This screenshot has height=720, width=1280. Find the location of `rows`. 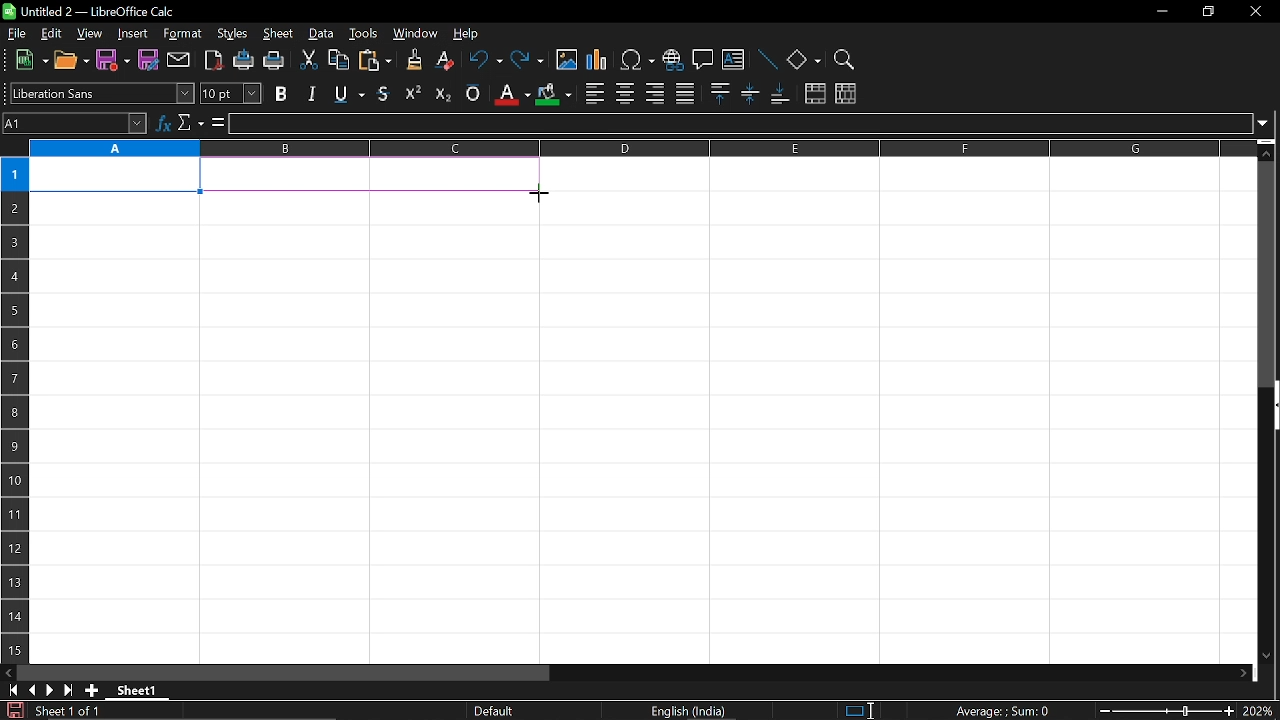

rows is located at coordinates (12, 387).